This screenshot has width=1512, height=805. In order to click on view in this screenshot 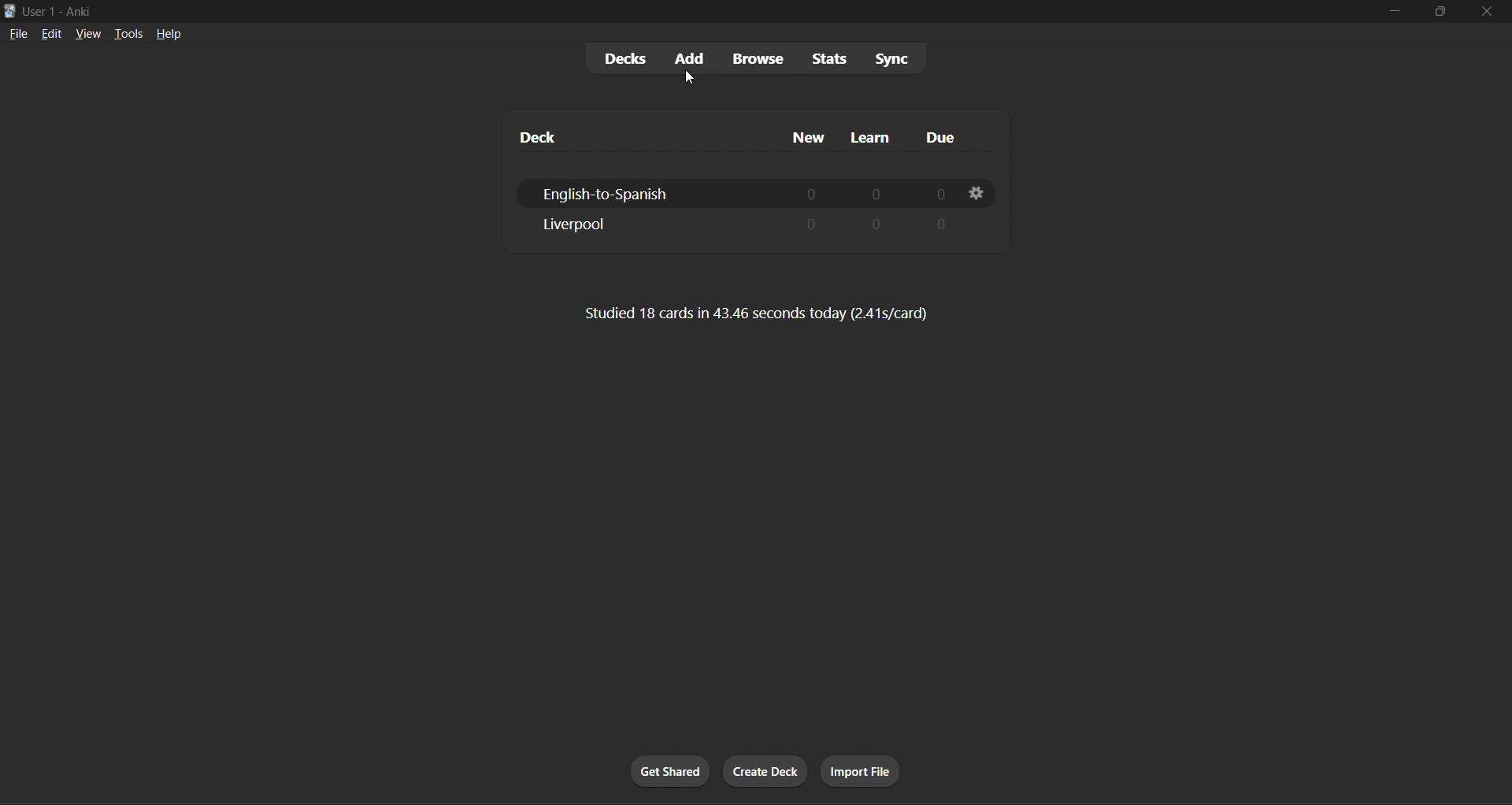, I will do `click(82, 32)`.